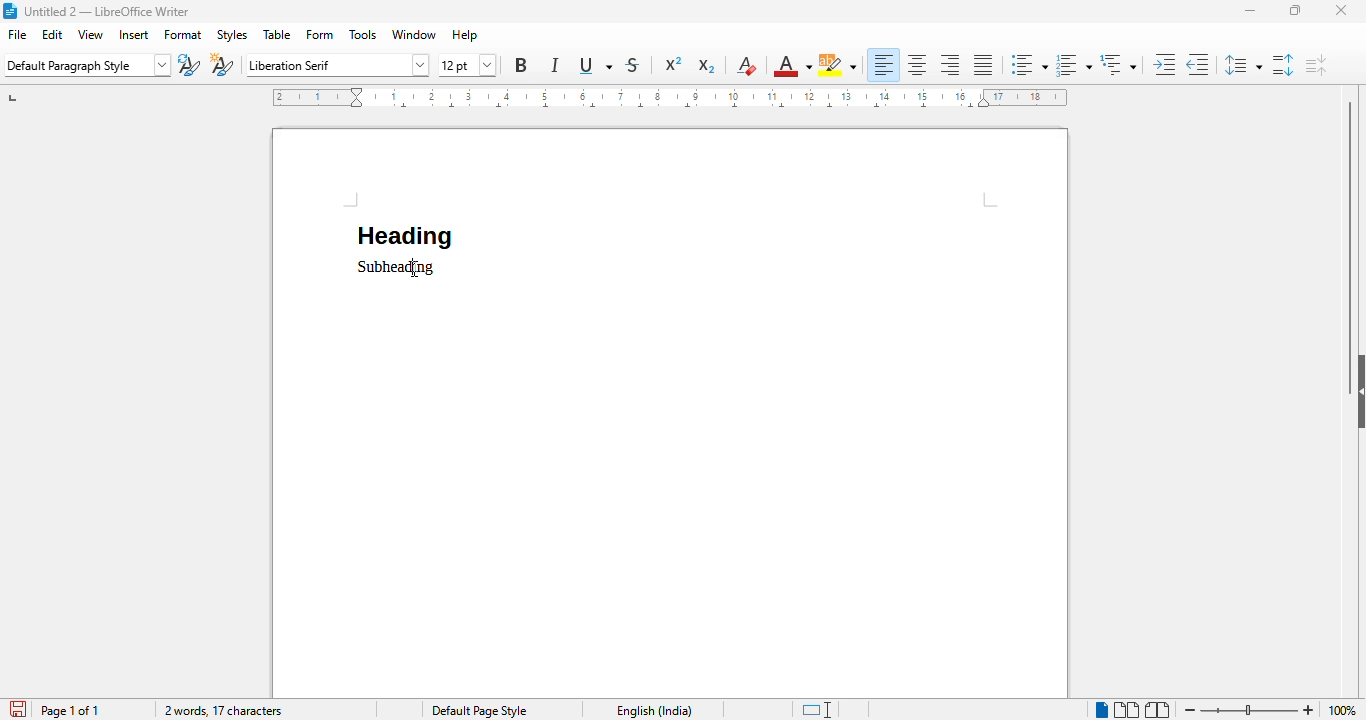 This screenshot has width=1366, height=720. Describe the element at coordinates (11, 11) in the screenshot. I see `logo` at that location.